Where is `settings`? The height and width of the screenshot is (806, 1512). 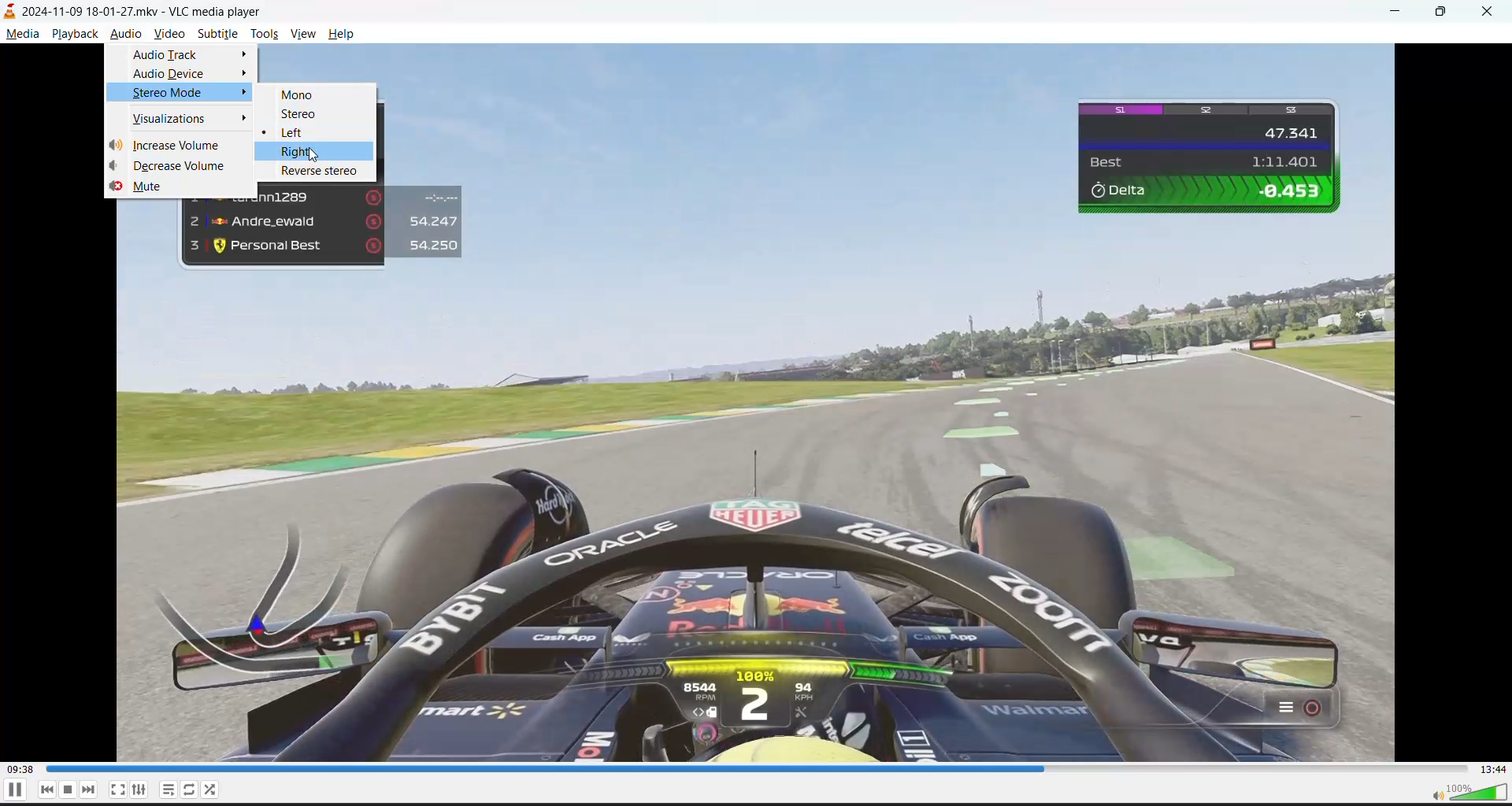
settings is located at coordinates (140, 789).